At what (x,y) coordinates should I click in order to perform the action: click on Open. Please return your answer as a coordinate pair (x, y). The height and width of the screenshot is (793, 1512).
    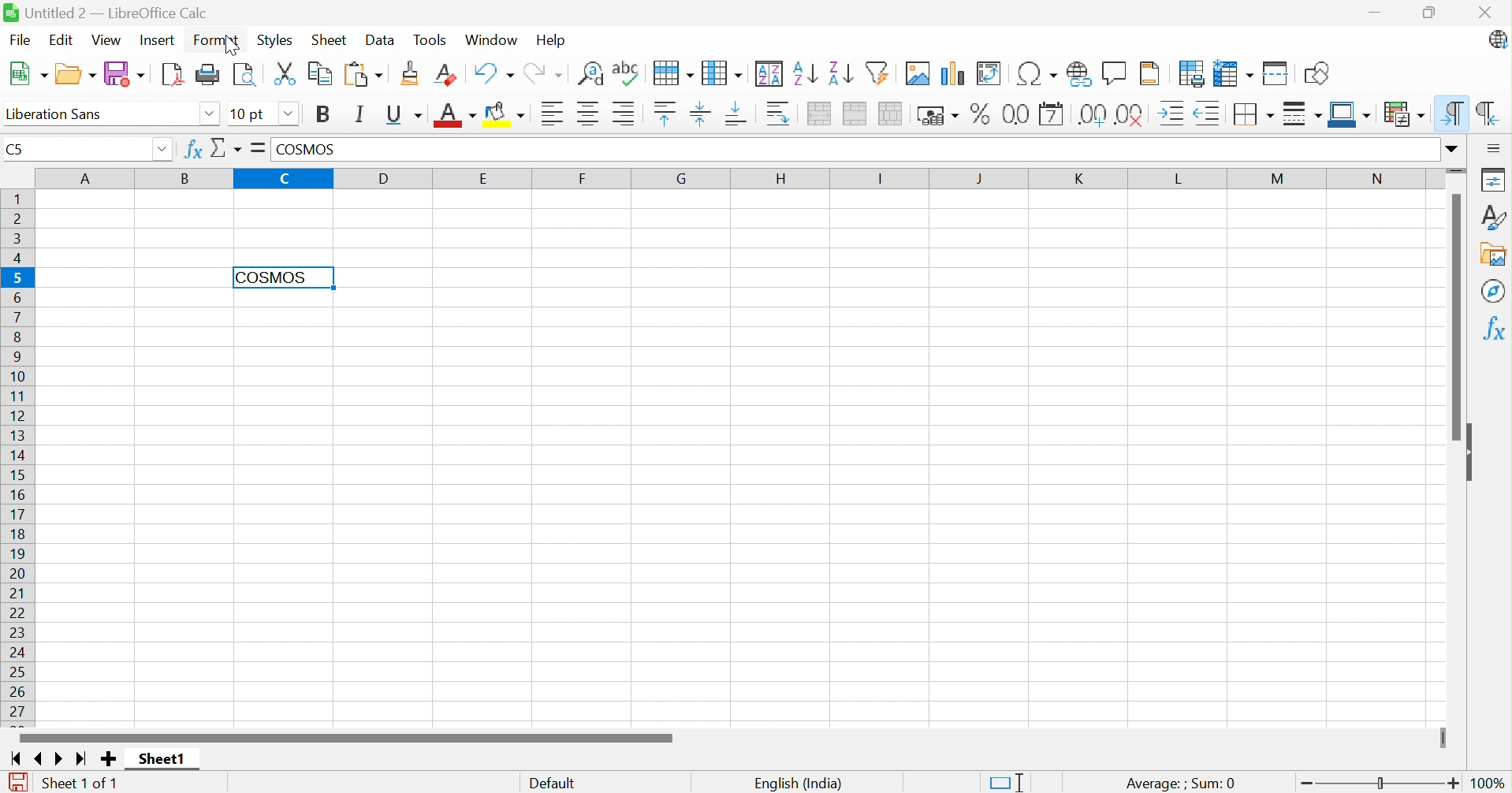
    Looking at the image, I should click on (75, 74).